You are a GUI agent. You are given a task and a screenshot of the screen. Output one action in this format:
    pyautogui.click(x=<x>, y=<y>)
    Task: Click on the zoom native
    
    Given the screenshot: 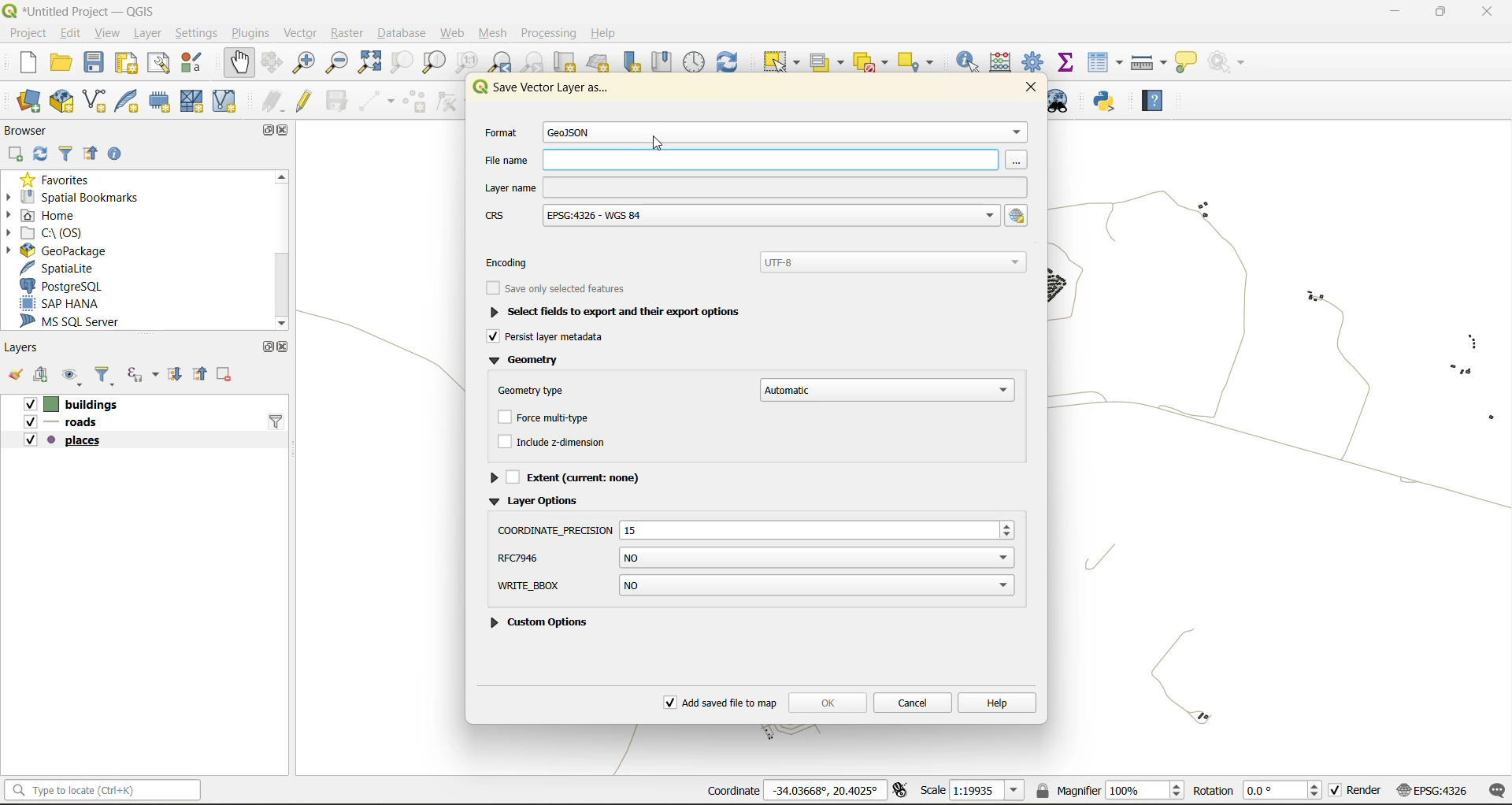 What is the action you would take?
    pyautogui.click(x=471, y=63)
    